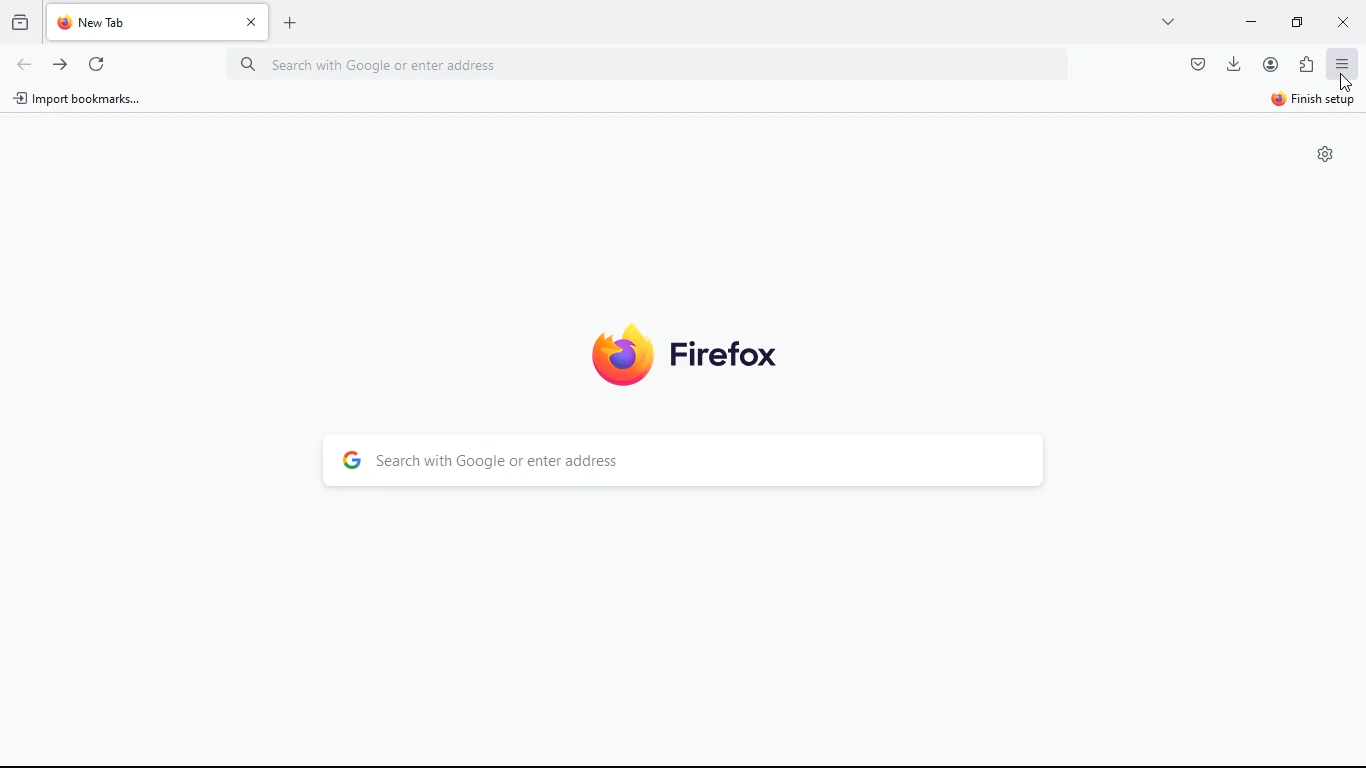 This screenshot has height=768, width=1366. Describe the element at coordinates (1196, 65) in the screenshot. I see `pocket` at that location.